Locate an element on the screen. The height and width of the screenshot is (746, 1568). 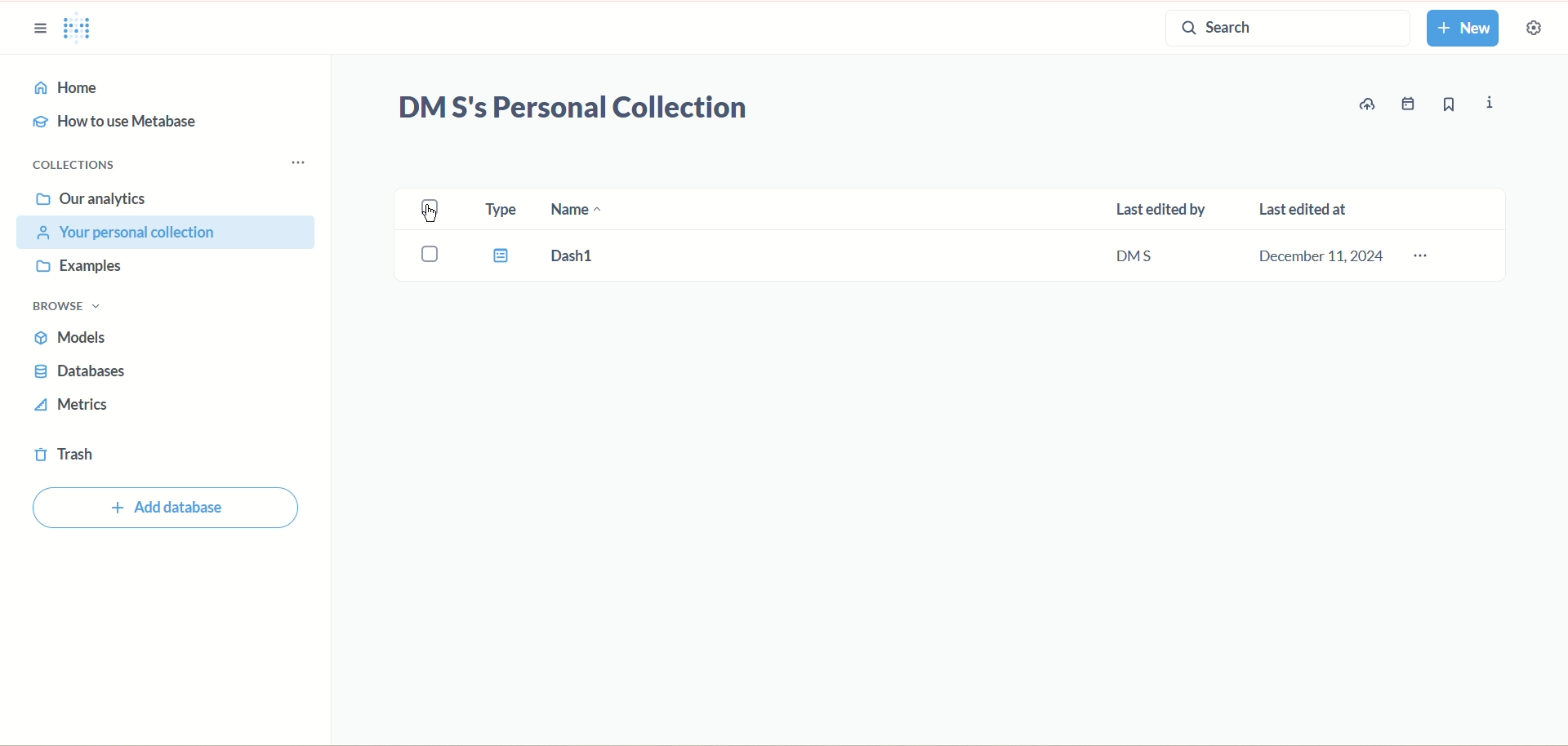
Dash 1 is located at coordinates (577, 257).